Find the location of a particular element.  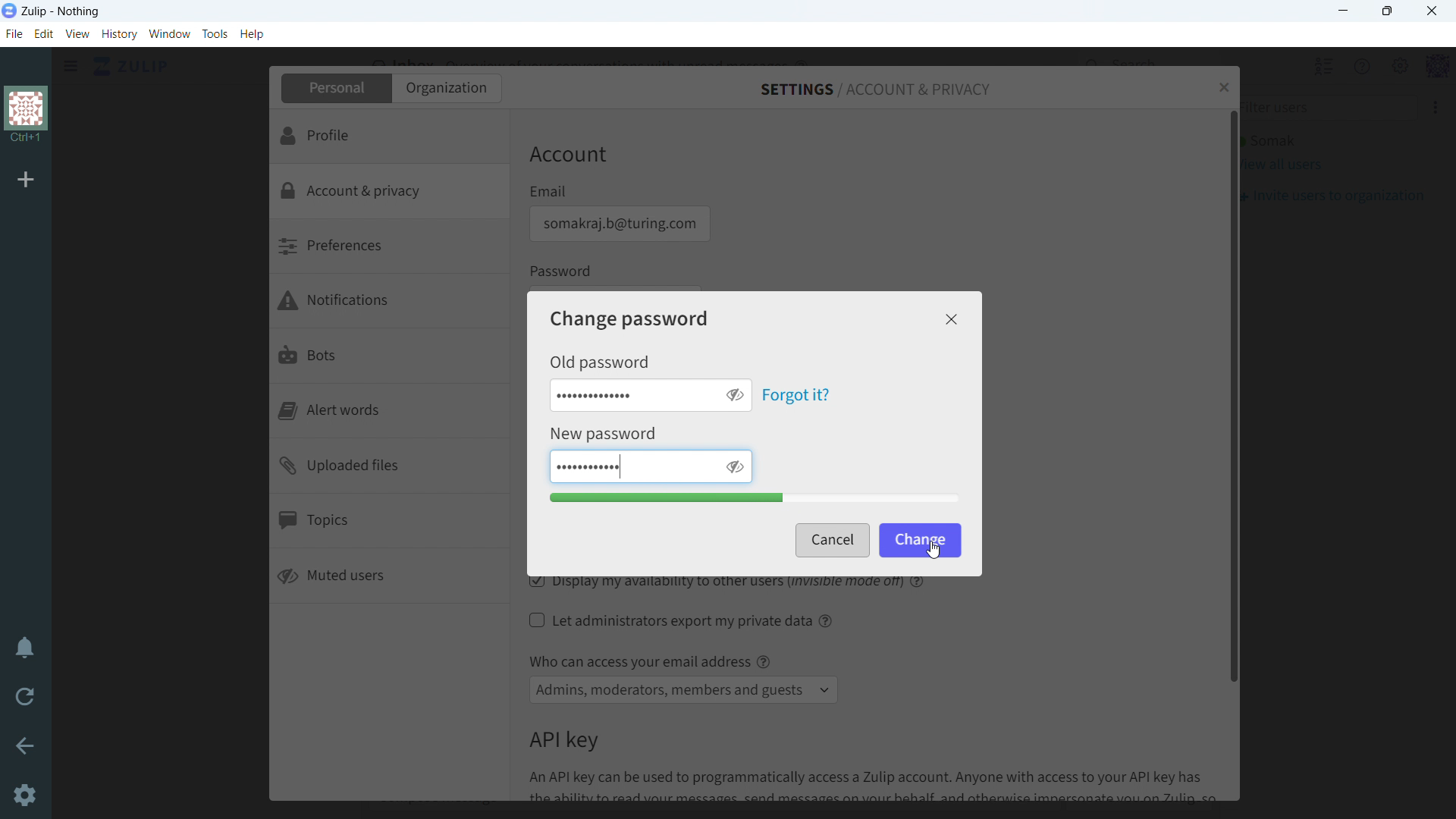

minimize is located at coordinates (1345, 11).